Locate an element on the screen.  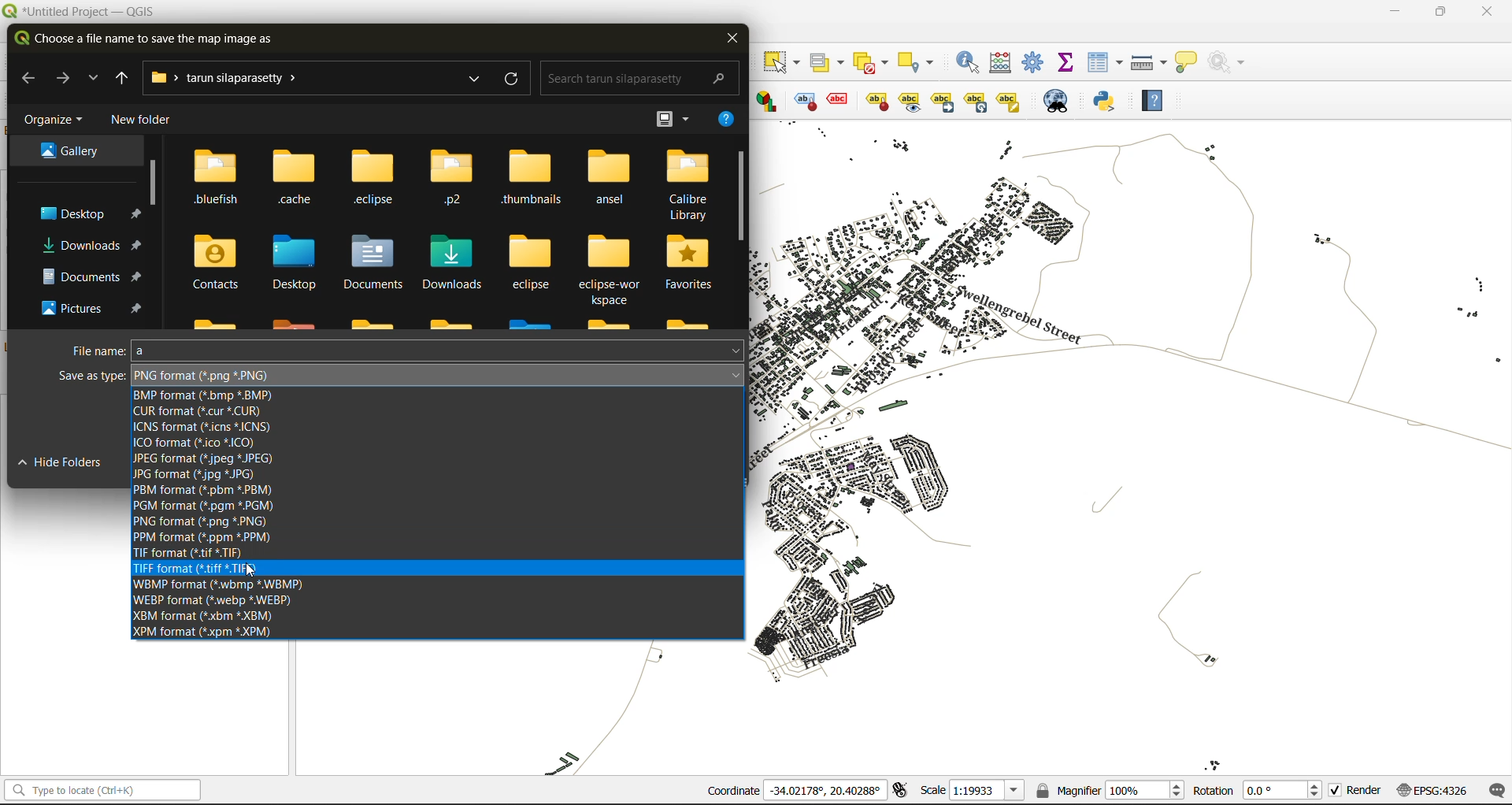
status bar is located at coordinates (100, 791).